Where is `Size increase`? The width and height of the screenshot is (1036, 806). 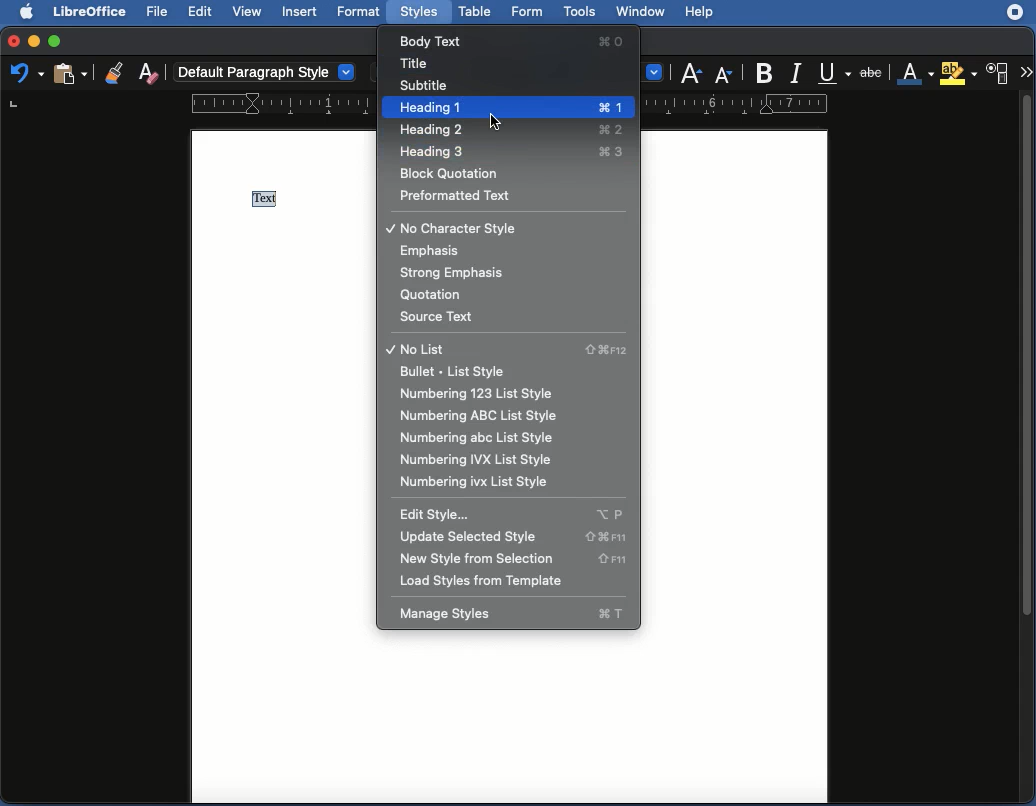 Size increase is located at coordinates (693, 73).